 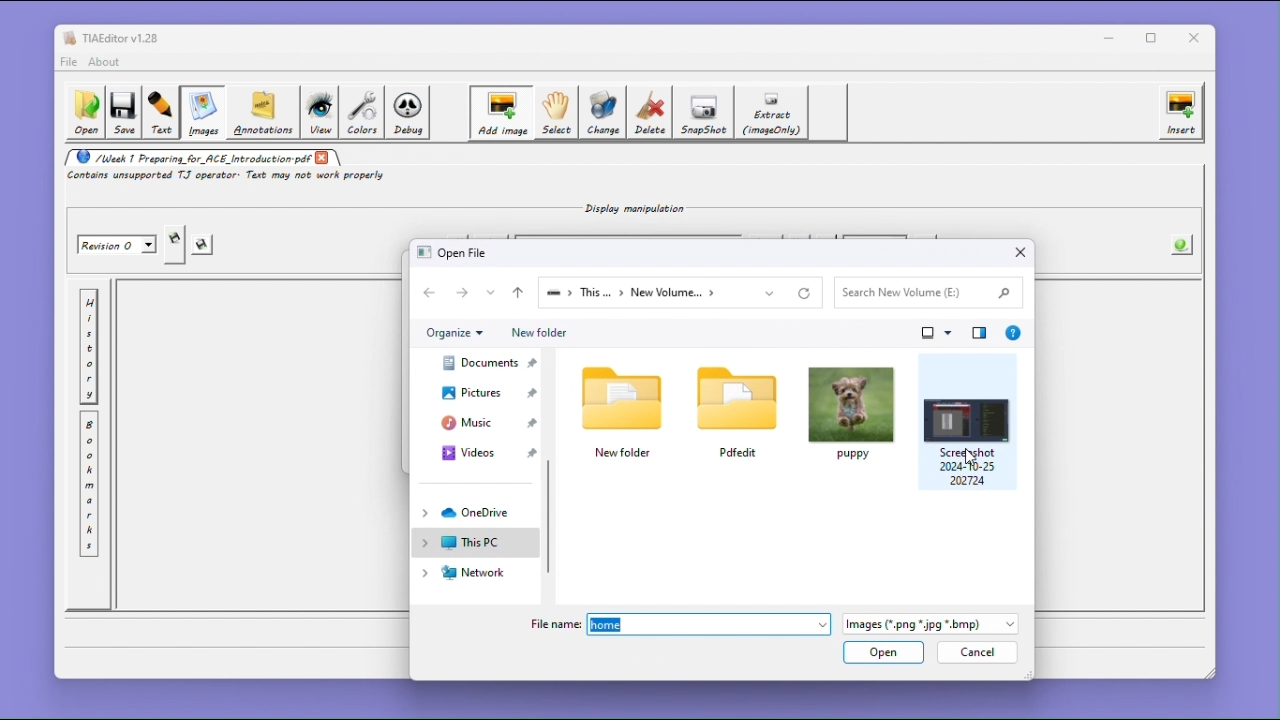 I want to click on music, so click(x=479, y=422).